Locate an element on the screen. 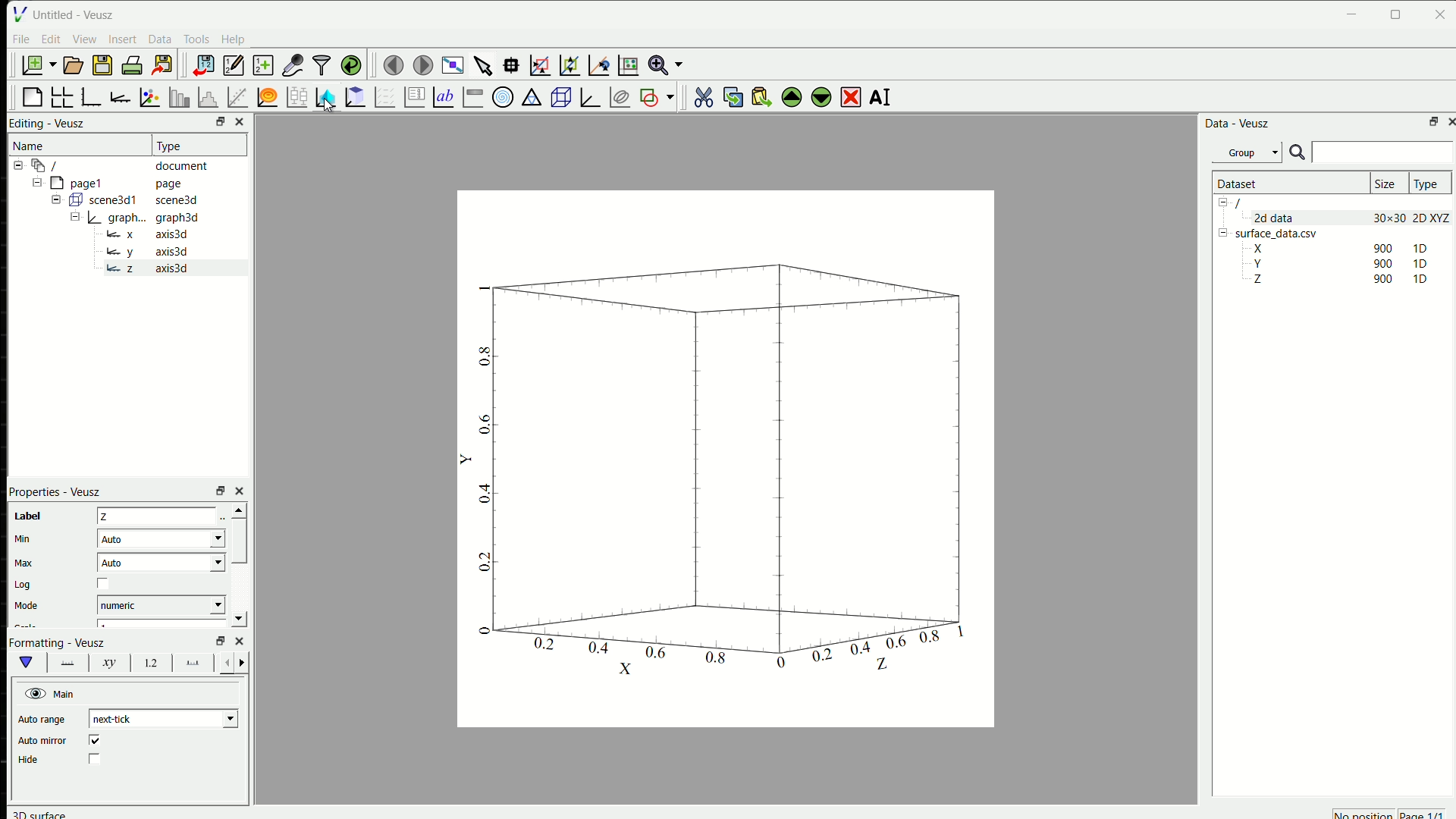  axis3d is located at coordinates (171, 268).